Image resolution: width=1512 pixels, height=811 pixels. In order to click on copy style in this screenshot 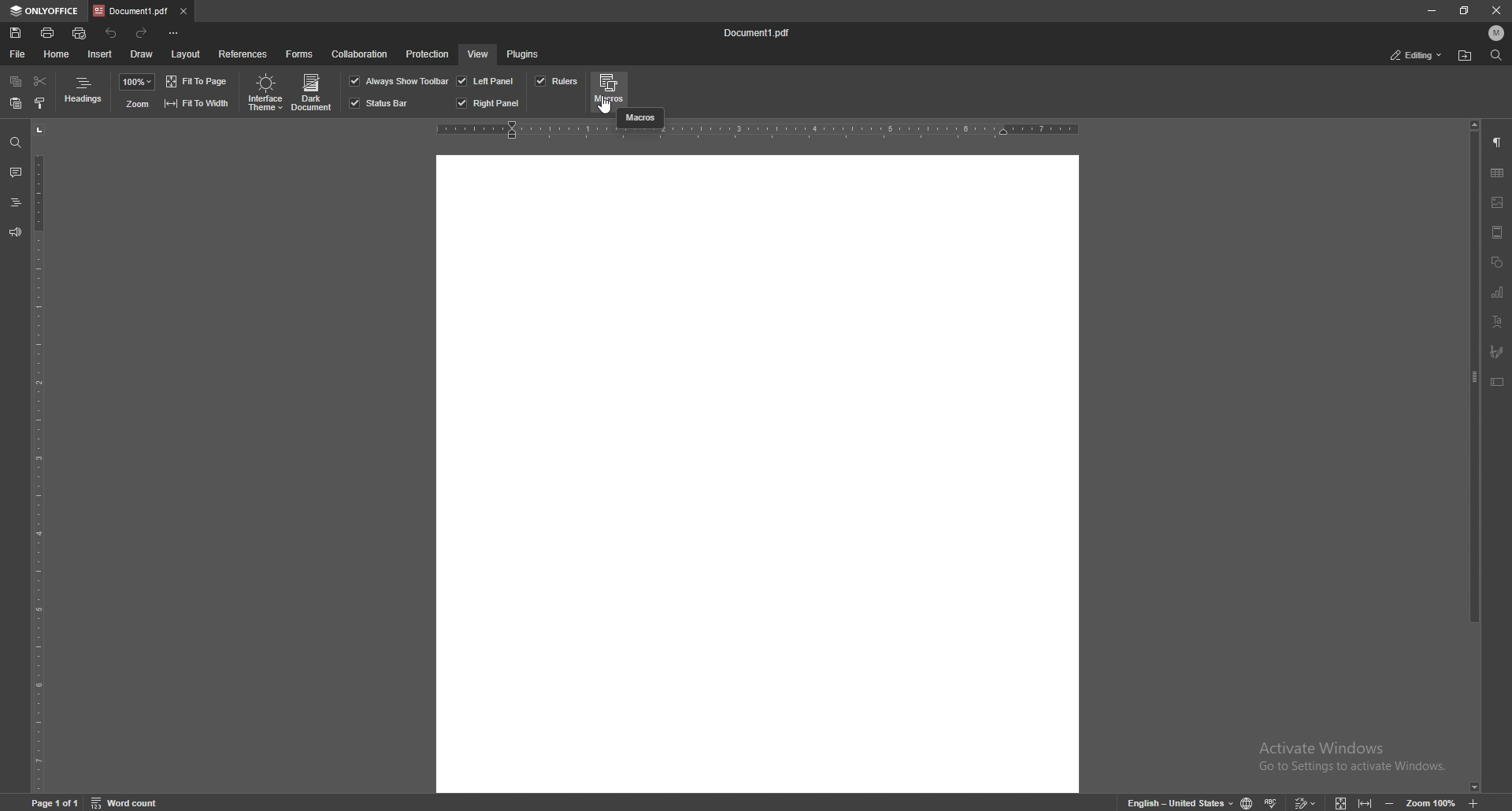, I will do `click(40, 102)`.